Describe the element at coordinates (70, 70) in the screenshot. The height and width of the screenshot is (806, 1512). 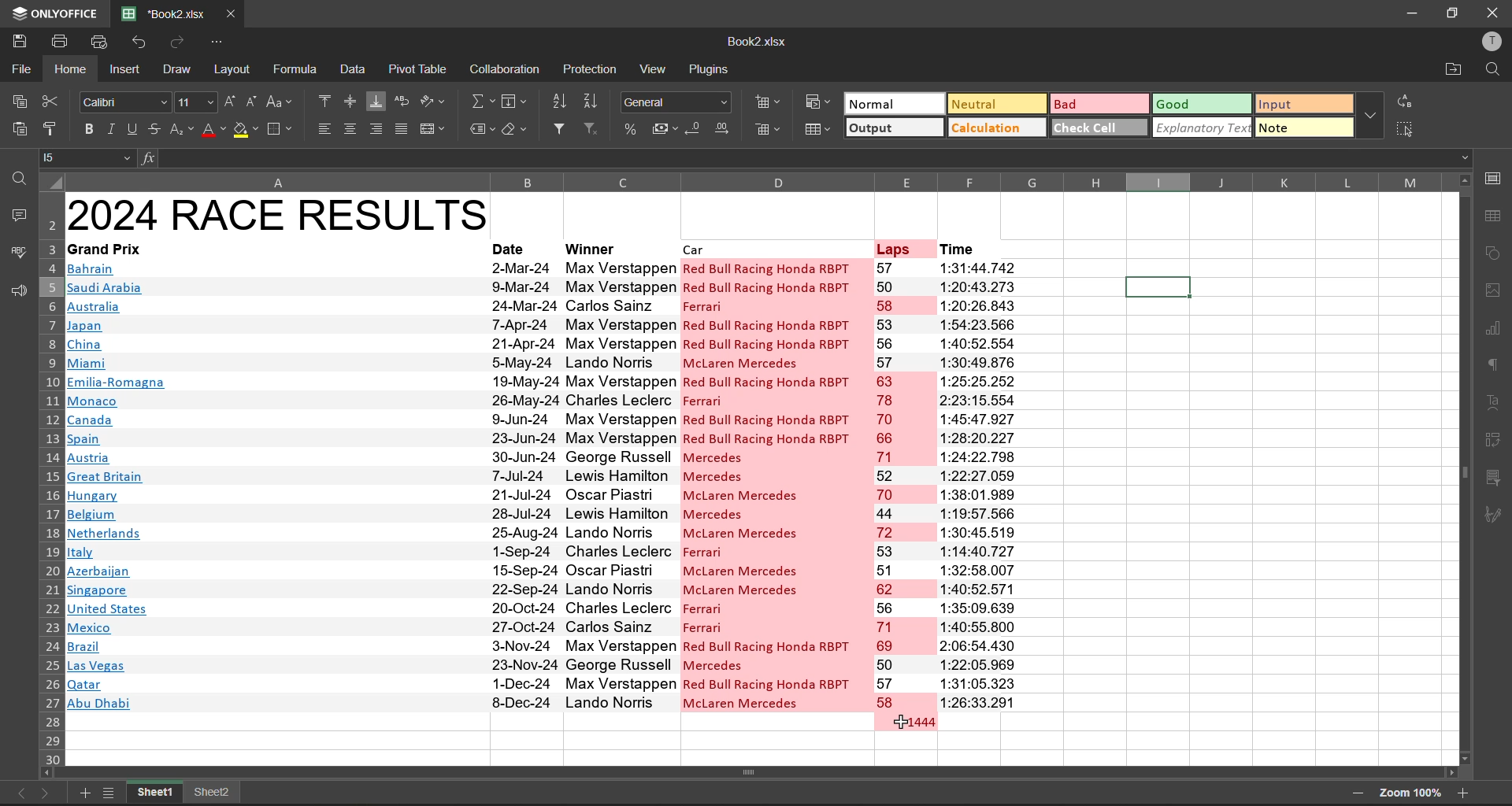
I see `home` at that location.